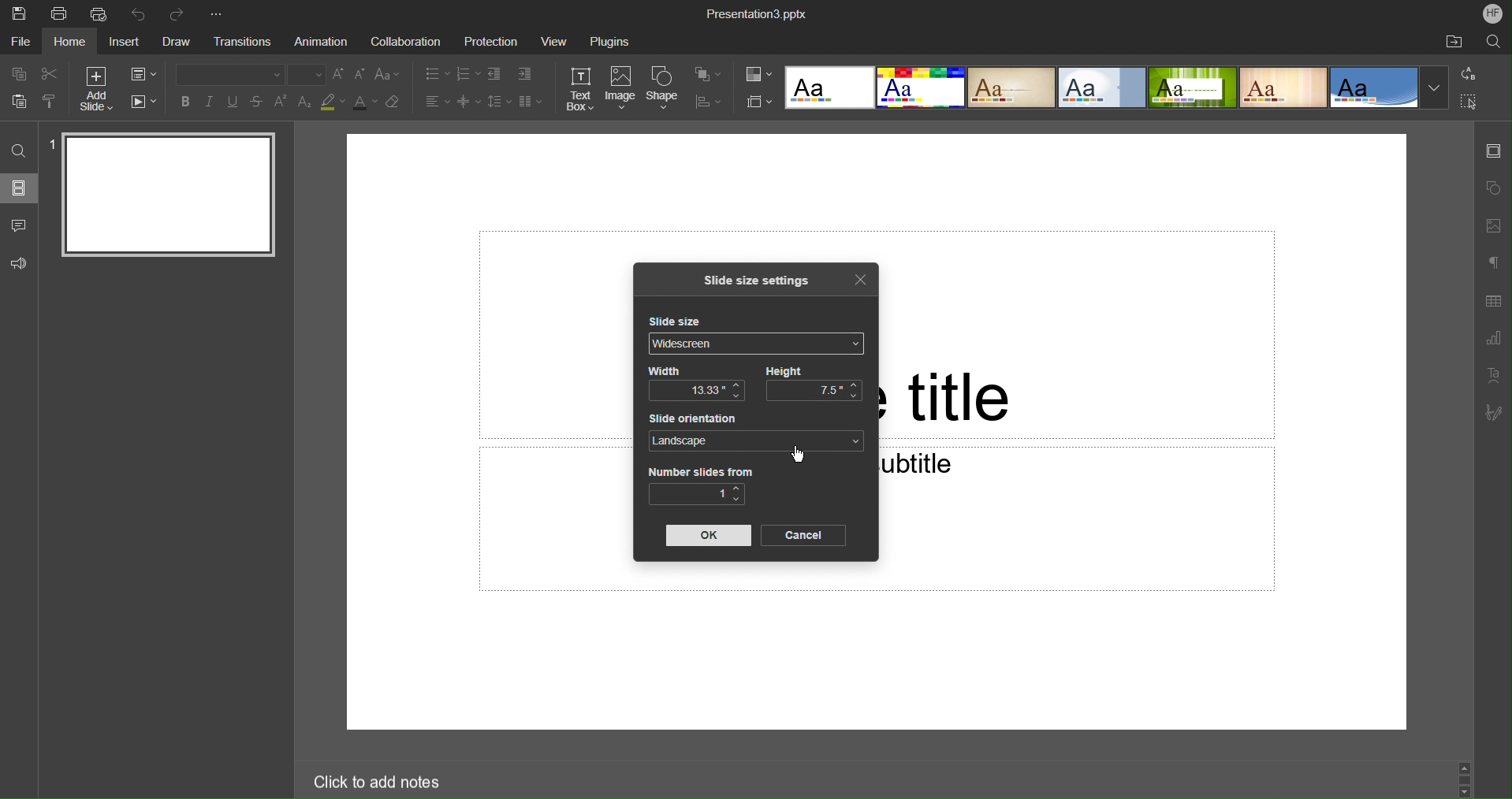 The height and width of the screenshot is (799, 1512). What do you see at coordinates (184, 102) in the screenshot?
I see `Bold` at bounding box center [184, 102].